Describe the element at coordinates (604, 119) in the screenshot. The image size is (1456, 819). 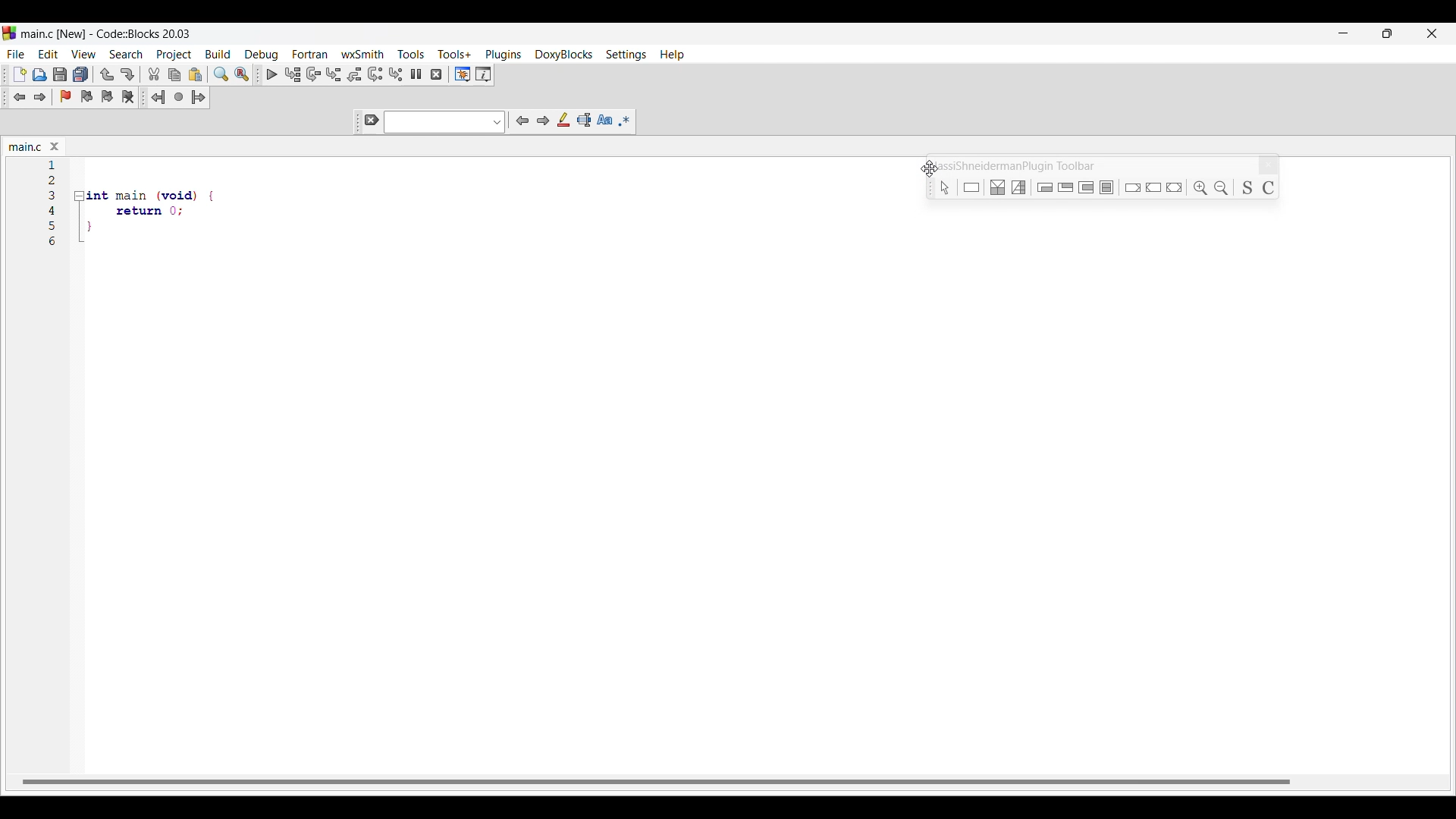
I see `Match case` at that location.